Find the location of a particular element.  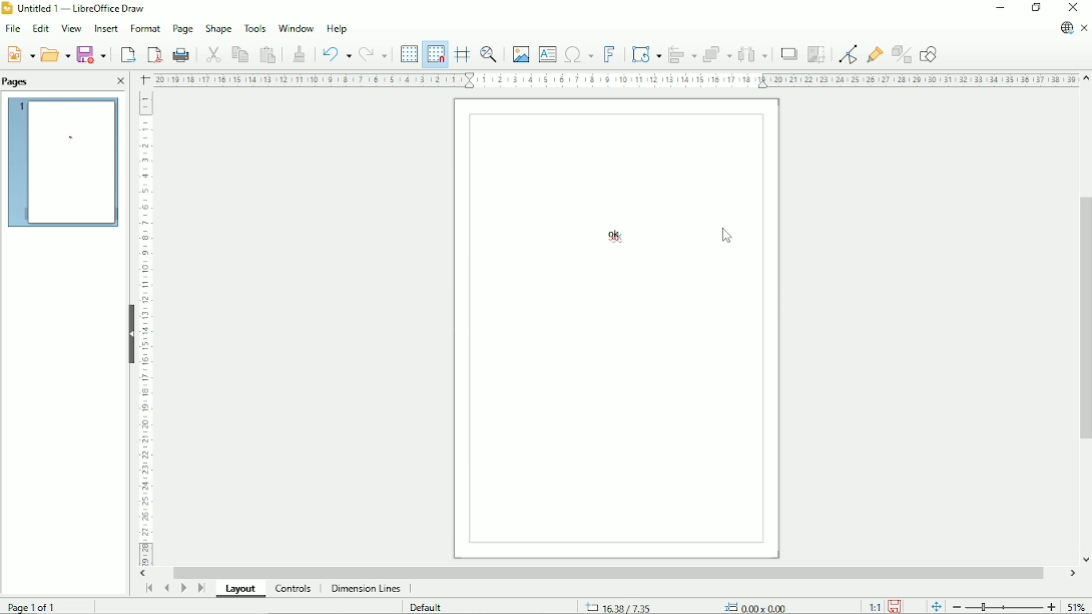

Zoom out/in is located at coordinates (1004, 606).